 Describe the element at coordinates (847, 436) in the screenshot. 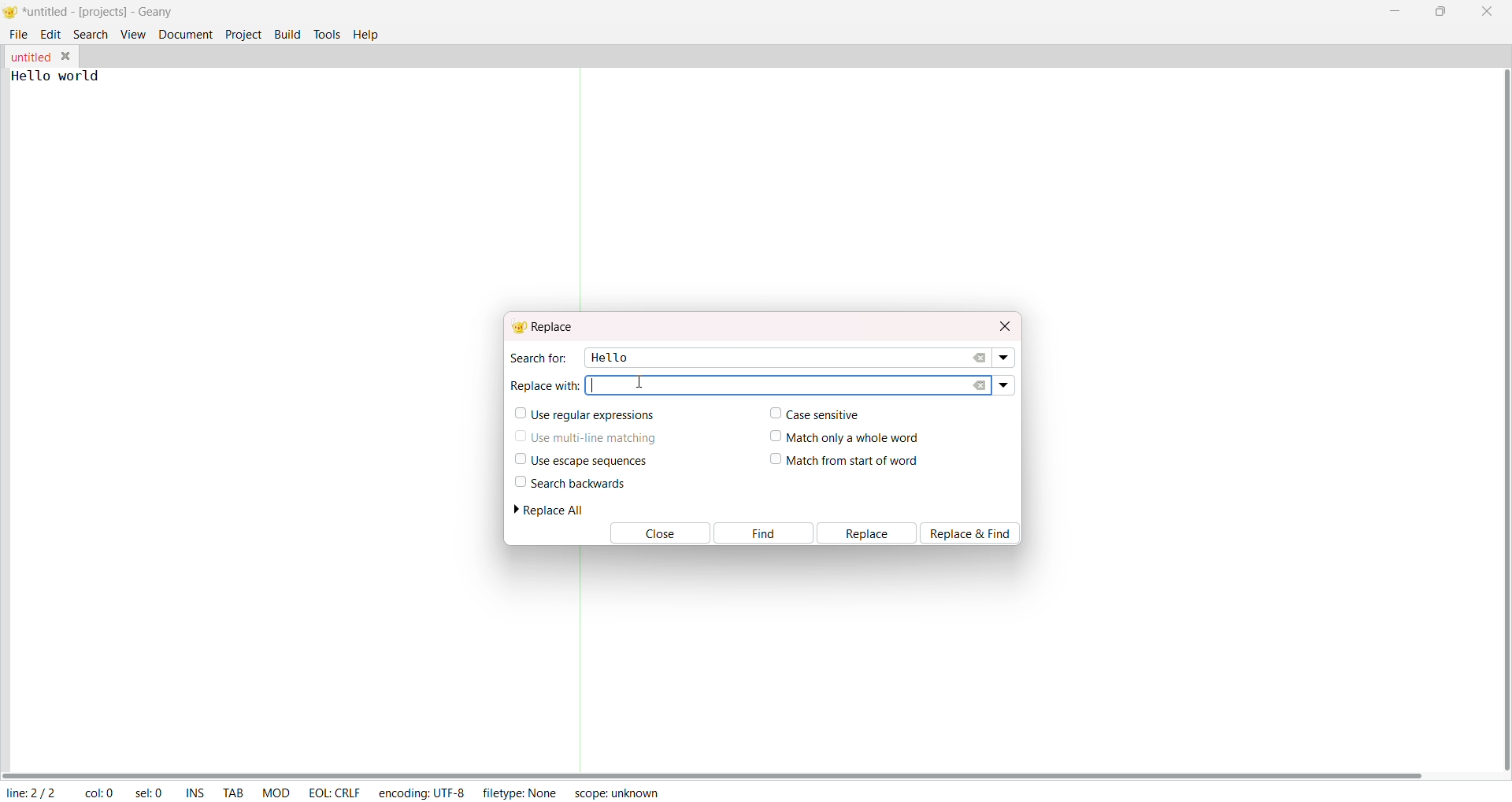

I see `match only a whole word` at that location.